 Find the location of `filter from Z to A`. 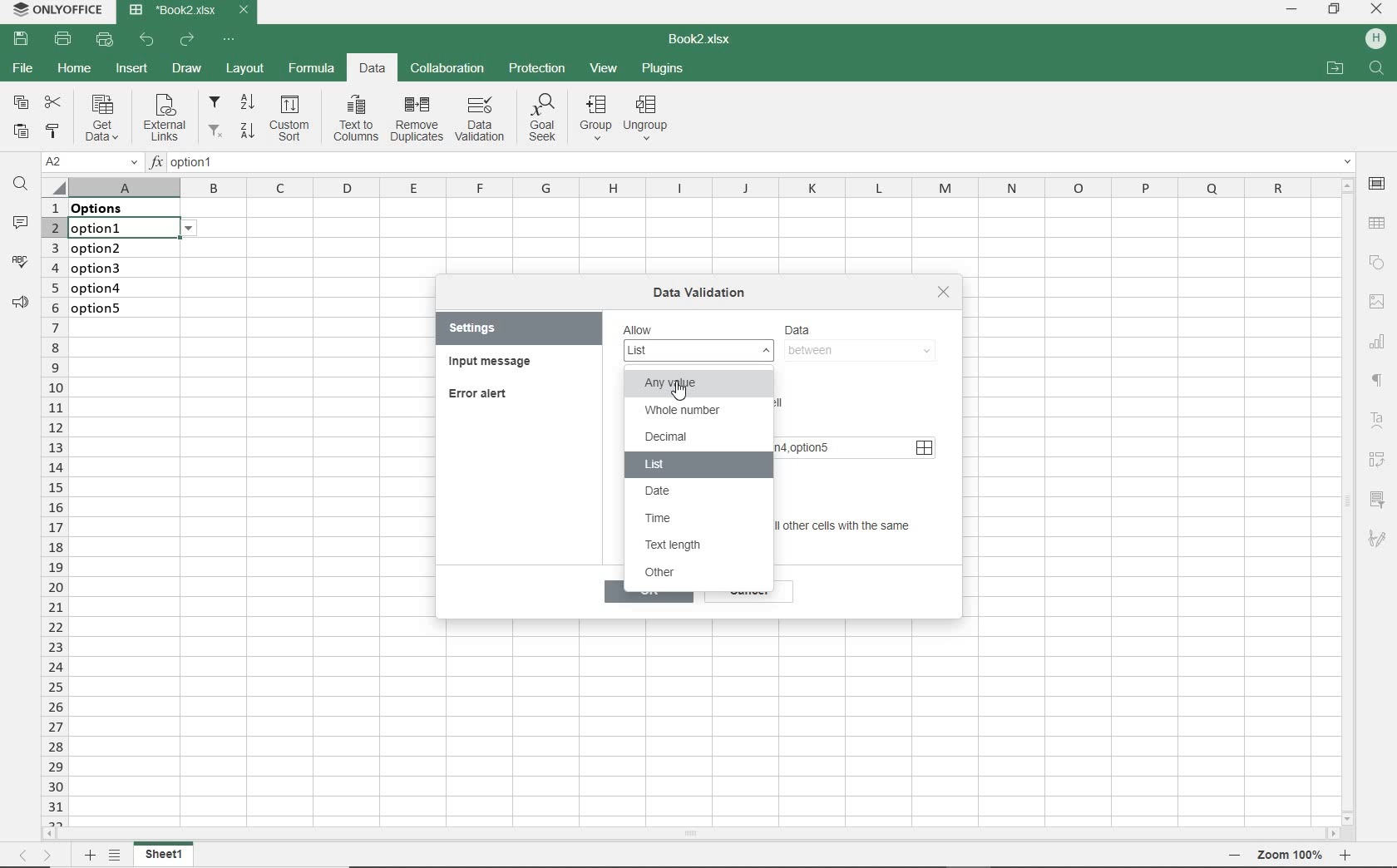

filter from Z to A is located at coordinates (232, 129).